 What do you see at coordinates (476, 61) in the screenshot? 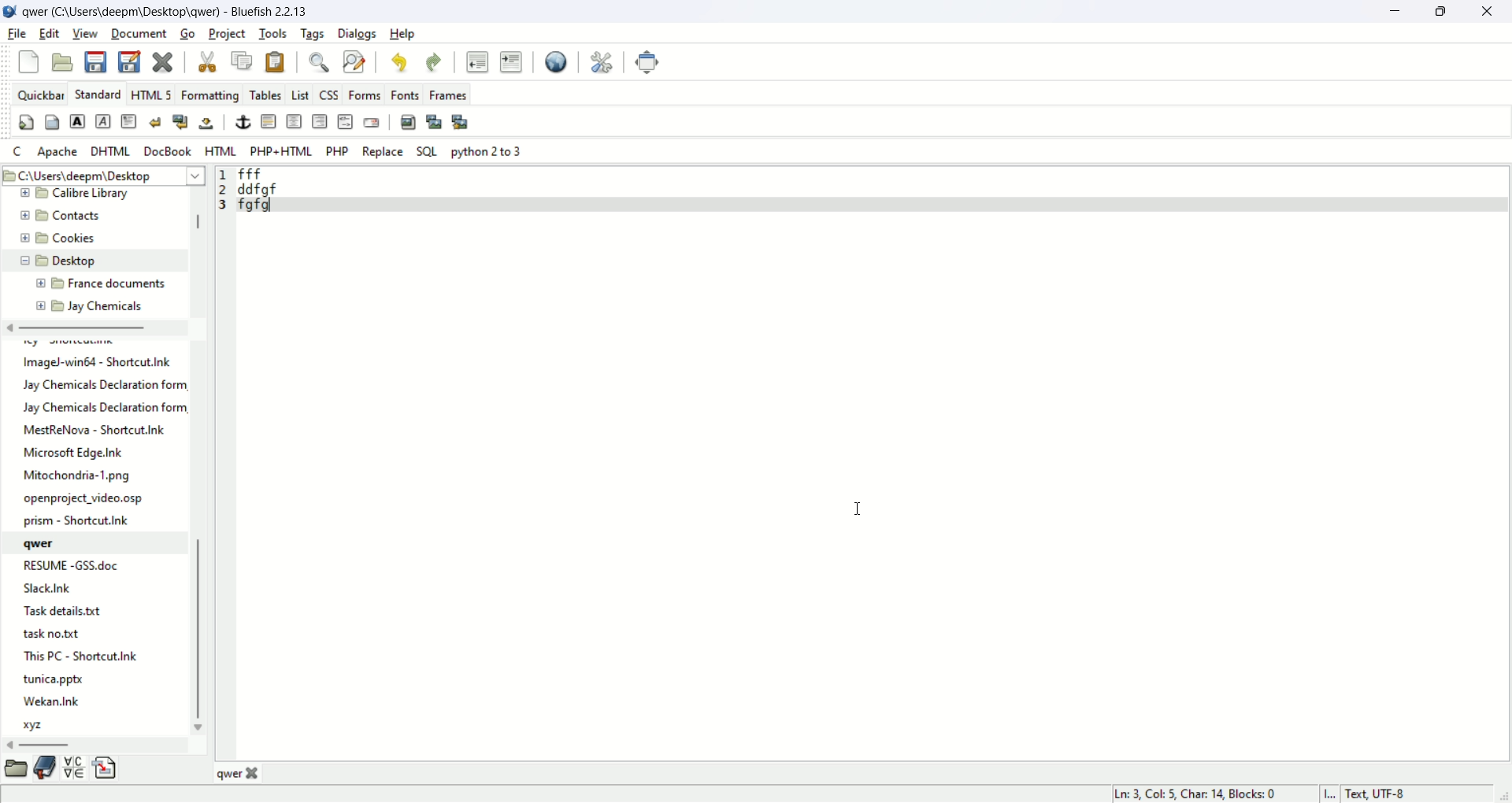
I see `unindent` at bounding box center [476, 61].